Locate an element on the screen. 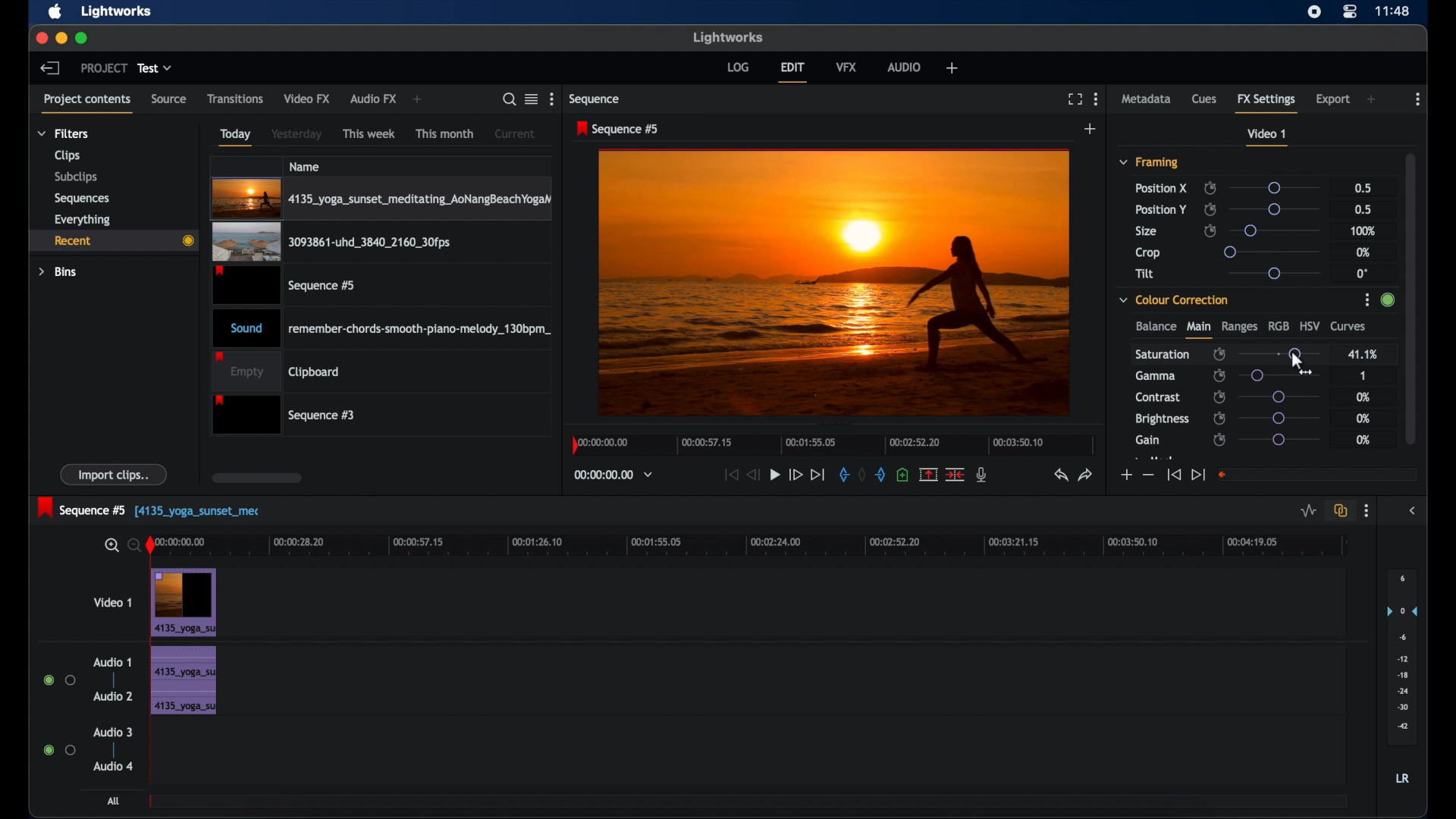 The width and height of the screenshot is (1456, 819). 0% is located at coordinates (1364, 252).